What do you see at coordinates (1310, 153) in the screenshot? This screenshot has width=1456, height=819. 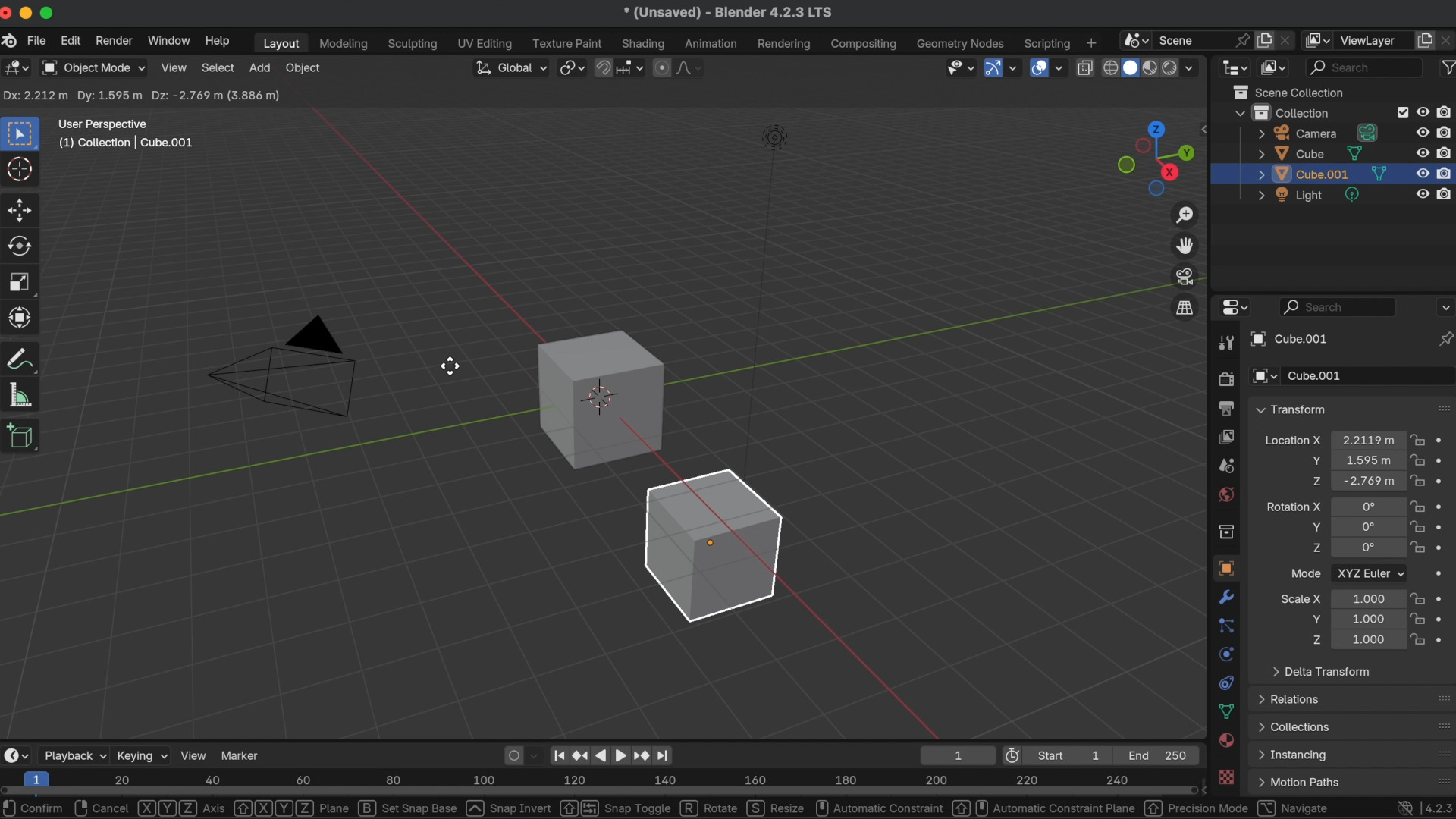 I see `cube` at bounding box center [1310, 153].